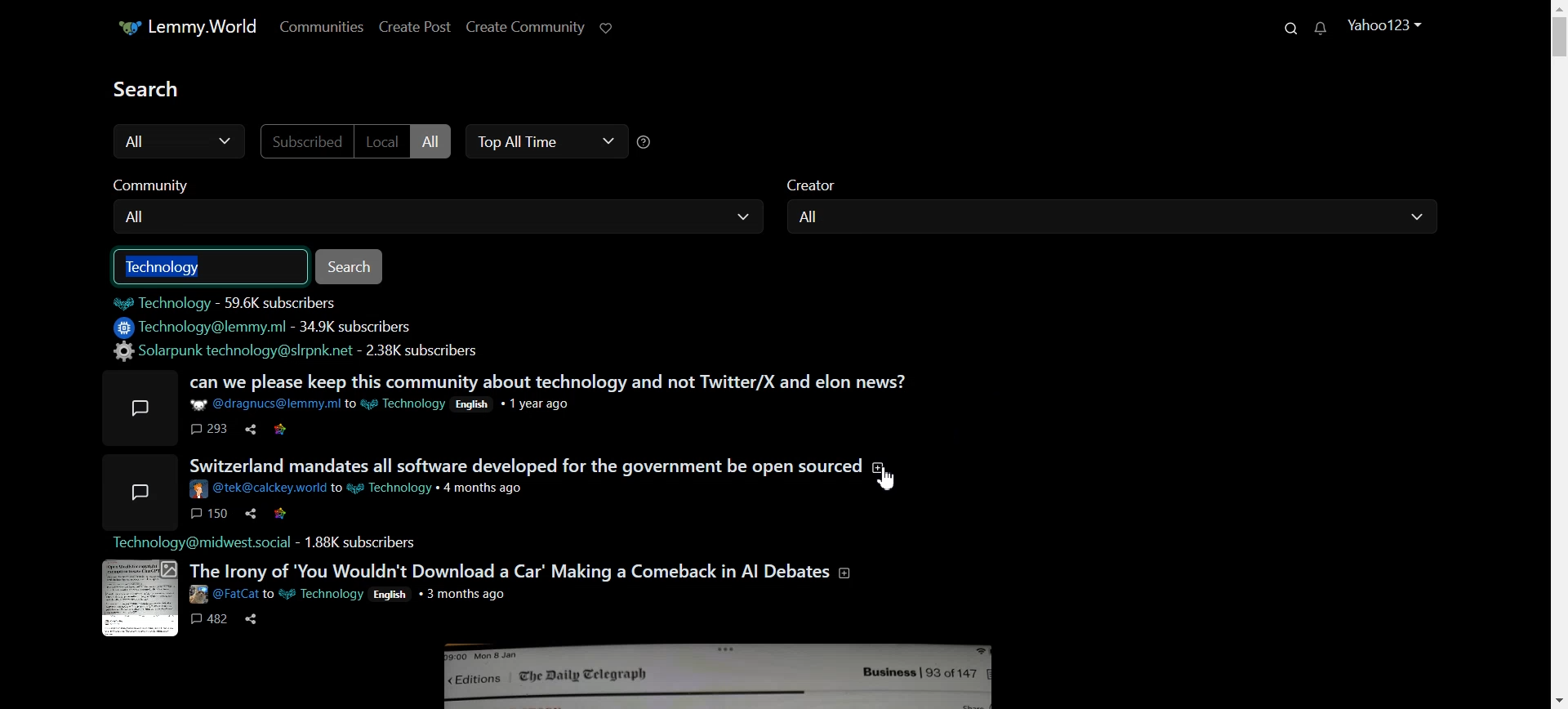  What do you see at coordinates (1390, 25) in the screenshot?
I see `Yahoo123` at bounding box center [1390, 25].